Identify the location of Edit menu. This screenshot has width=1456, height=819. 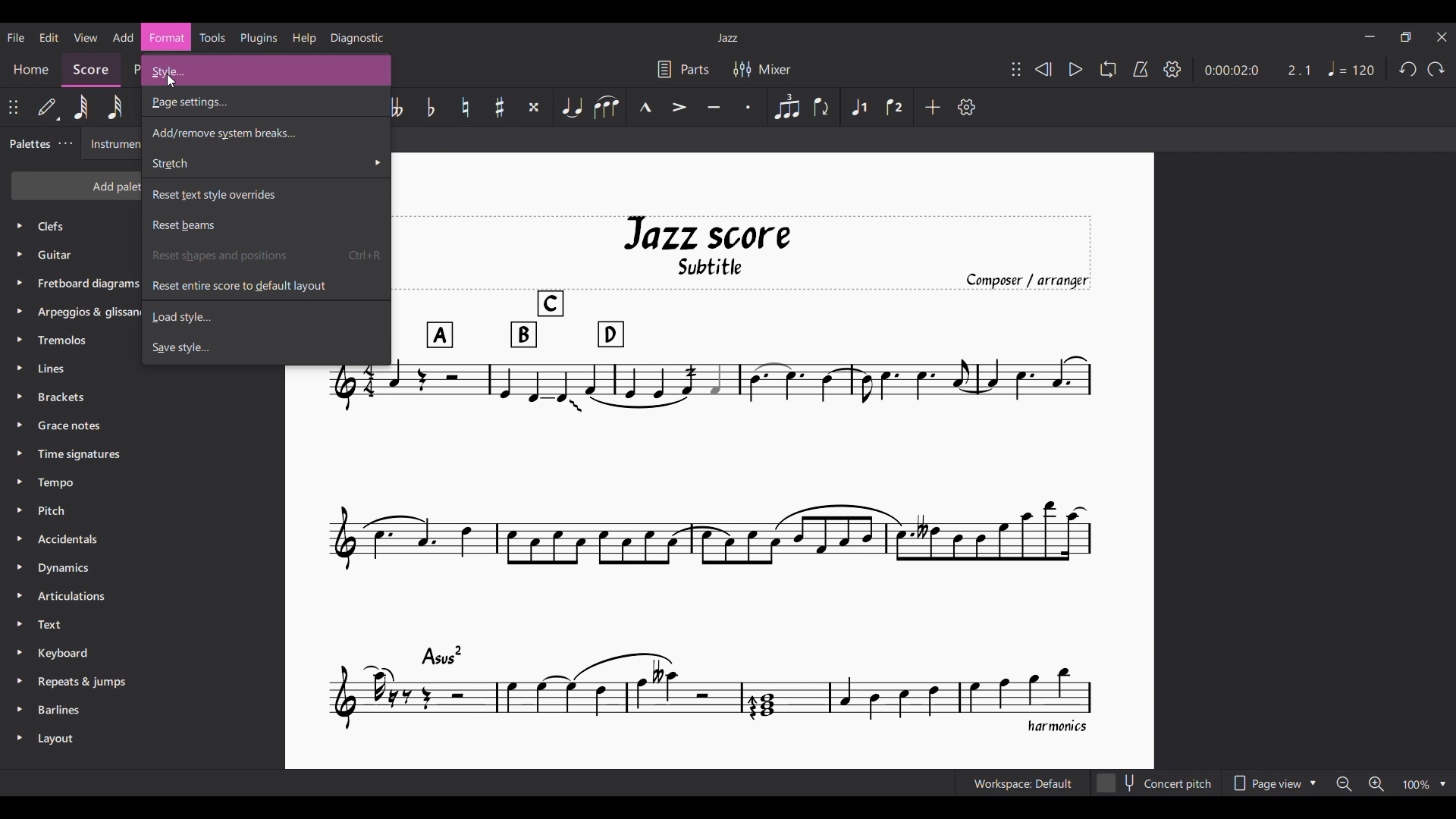
(49, 37).